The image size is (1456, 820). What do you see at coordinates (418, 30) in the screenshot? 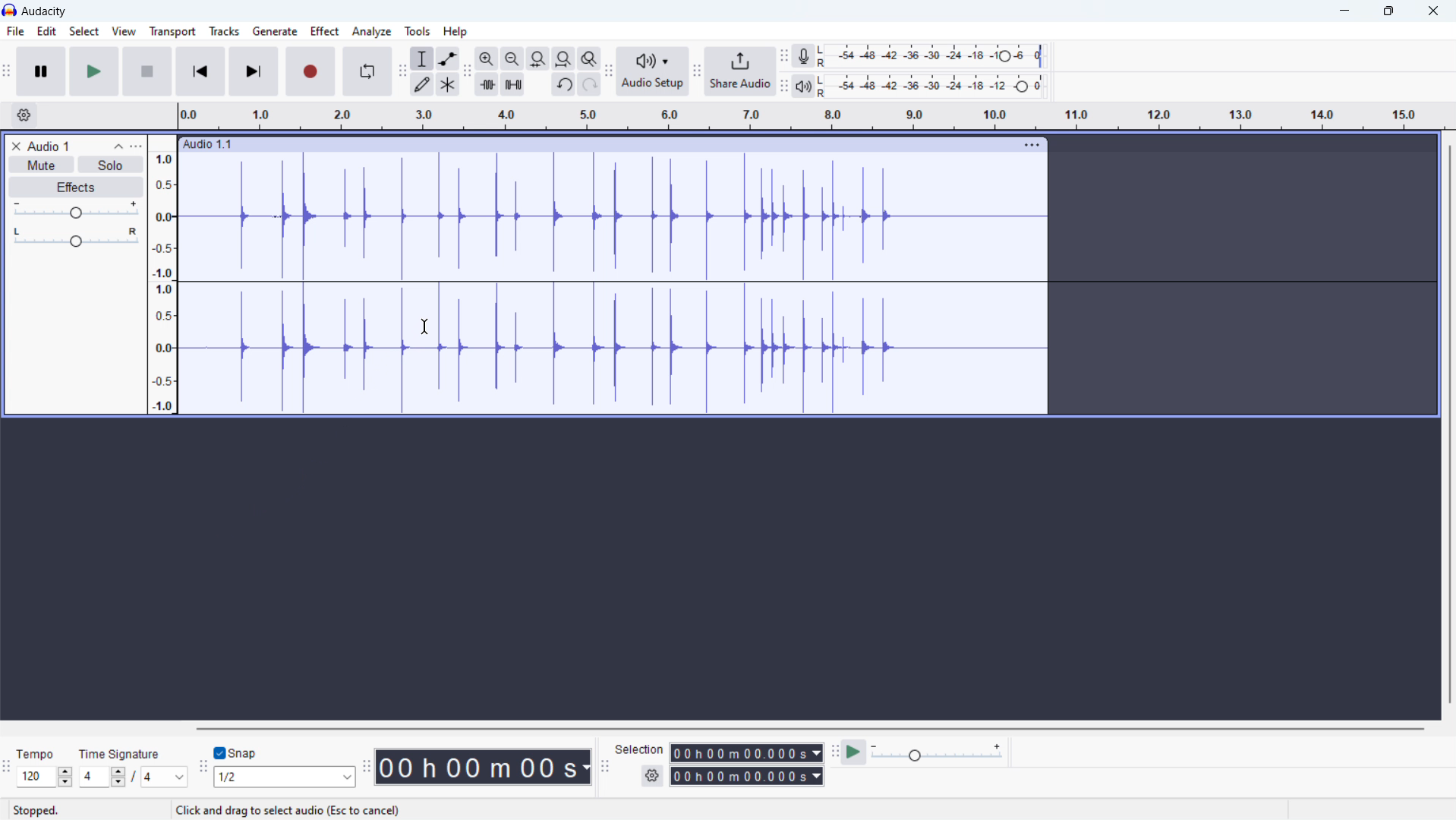
I see `tools` at bounding box center [418, 30].